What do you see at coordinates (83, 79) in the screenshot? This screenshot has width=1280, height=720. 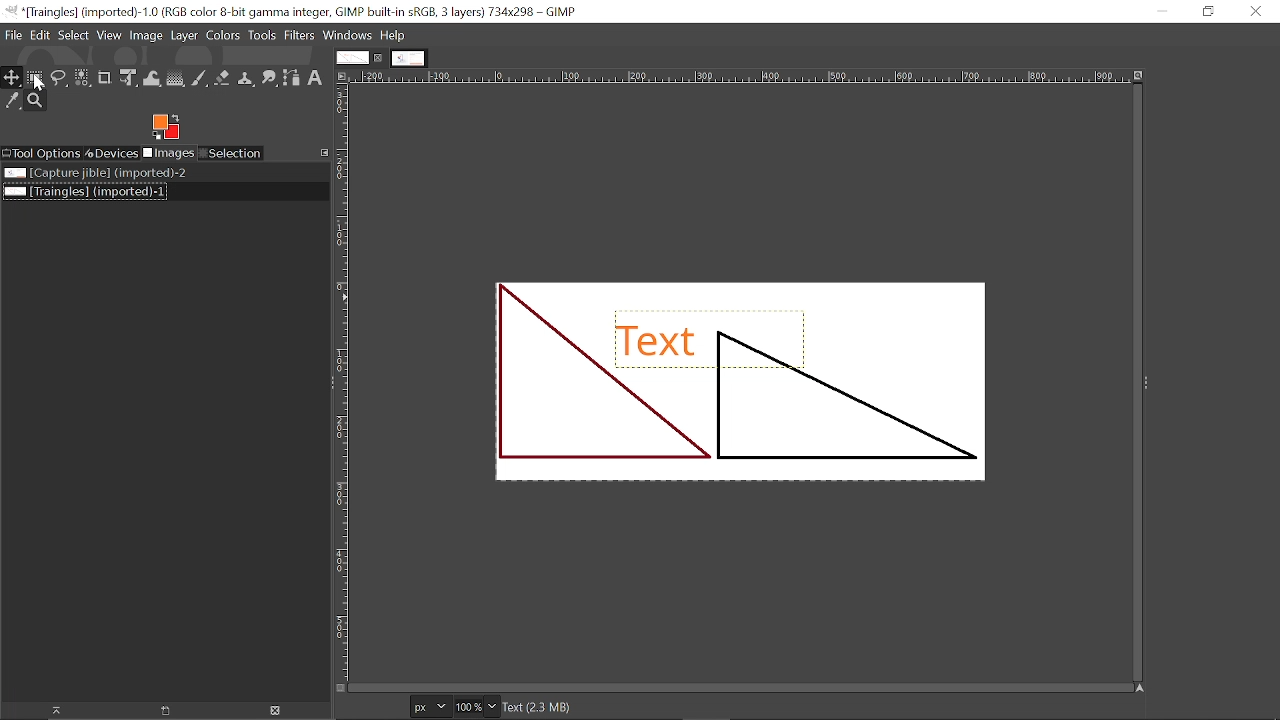 I see `Select by color` at bounding box center [83, 79].